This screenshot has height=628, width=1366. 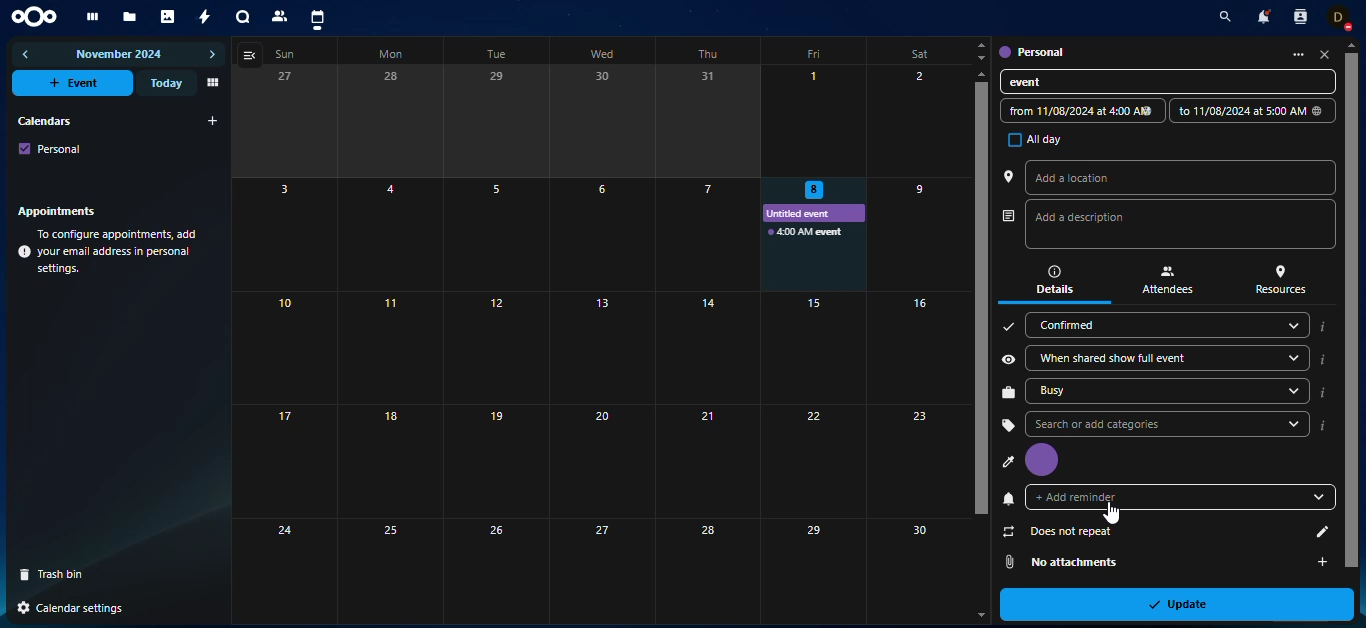 What do you see at coordinates (387, 348) in the screenshot?
I see `11` at bounding box center [387, 348].